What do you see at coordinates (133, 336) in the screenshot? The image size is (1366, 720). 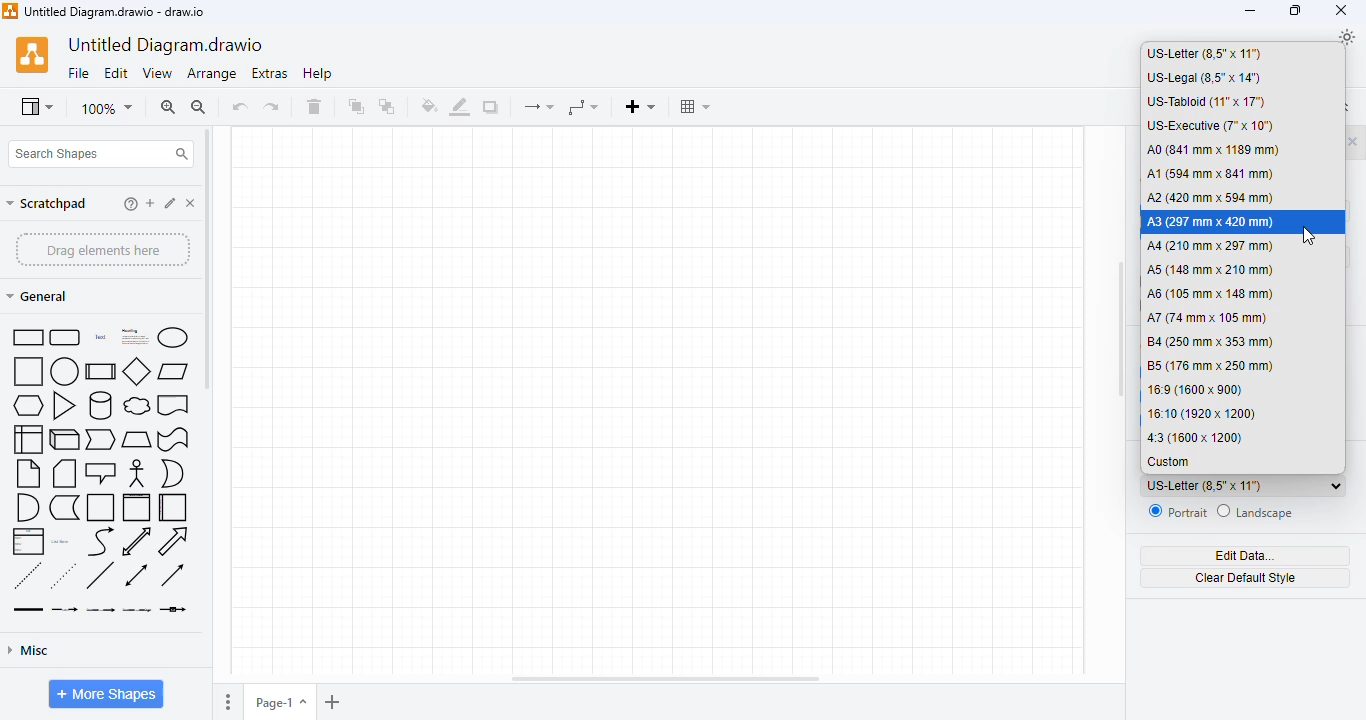 I see `heading` at bounding box center [133, 336].